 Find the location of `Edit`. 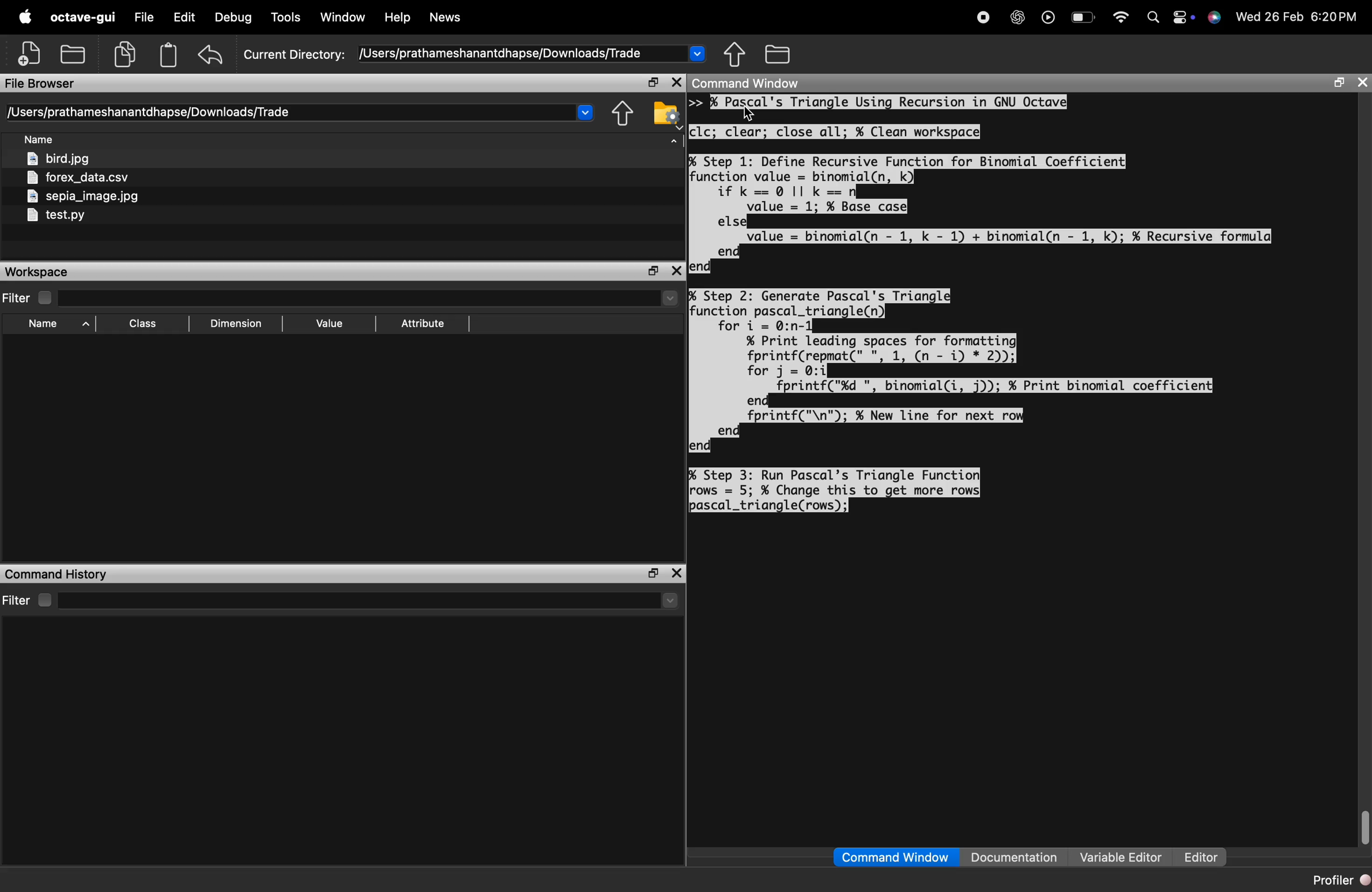

Edit is located at coordinates (184, 16).